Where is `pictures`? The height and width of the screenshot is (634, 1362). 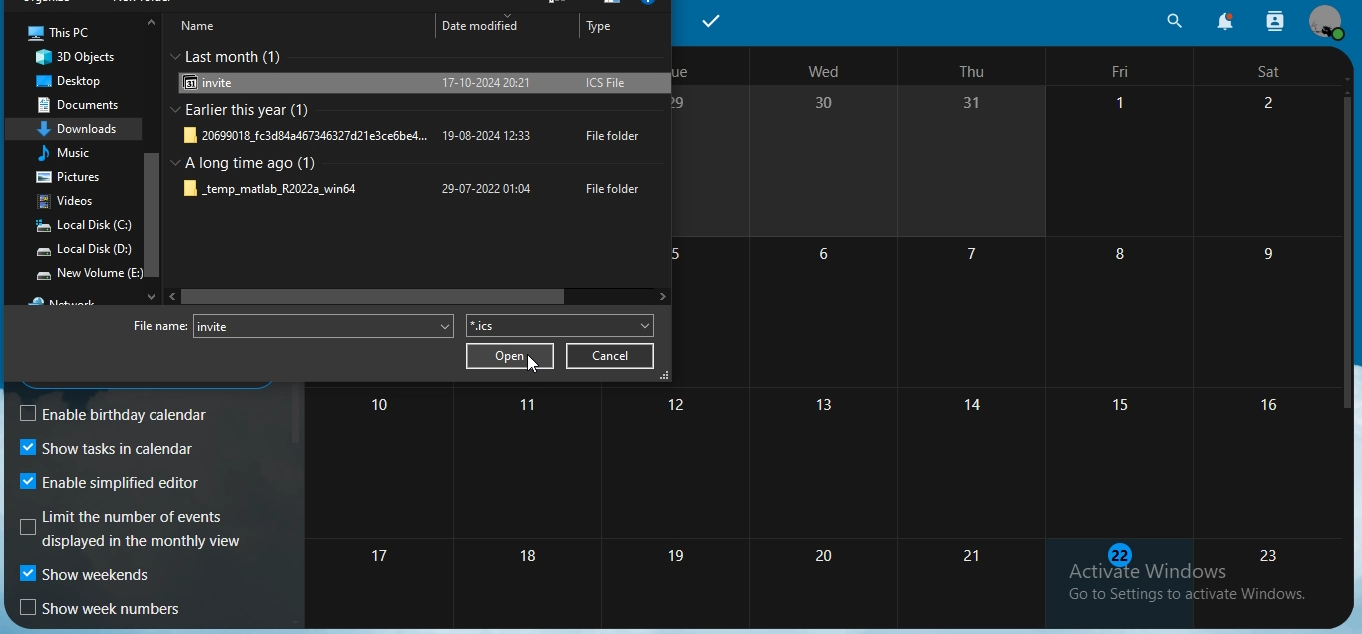 pictures is located at coordinates (67, 179).